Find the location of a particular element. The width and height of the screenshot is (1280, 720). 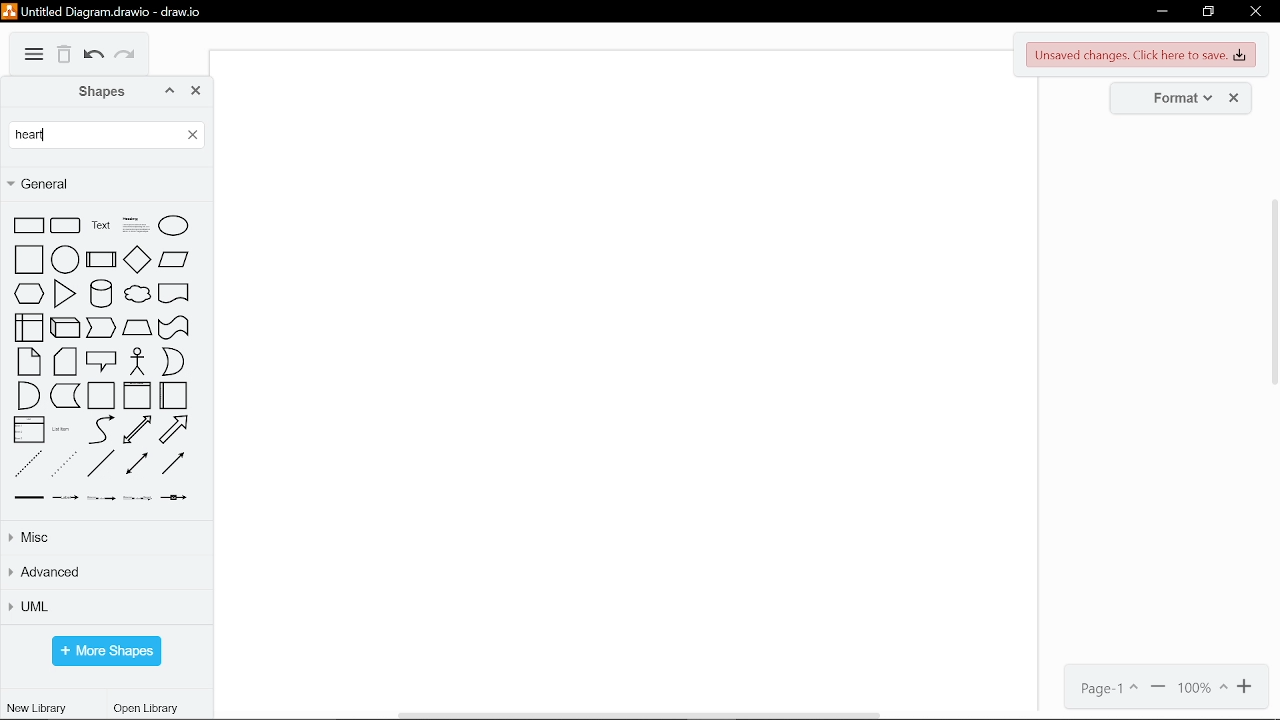

zoom out is located at coordinates (1159, 688).